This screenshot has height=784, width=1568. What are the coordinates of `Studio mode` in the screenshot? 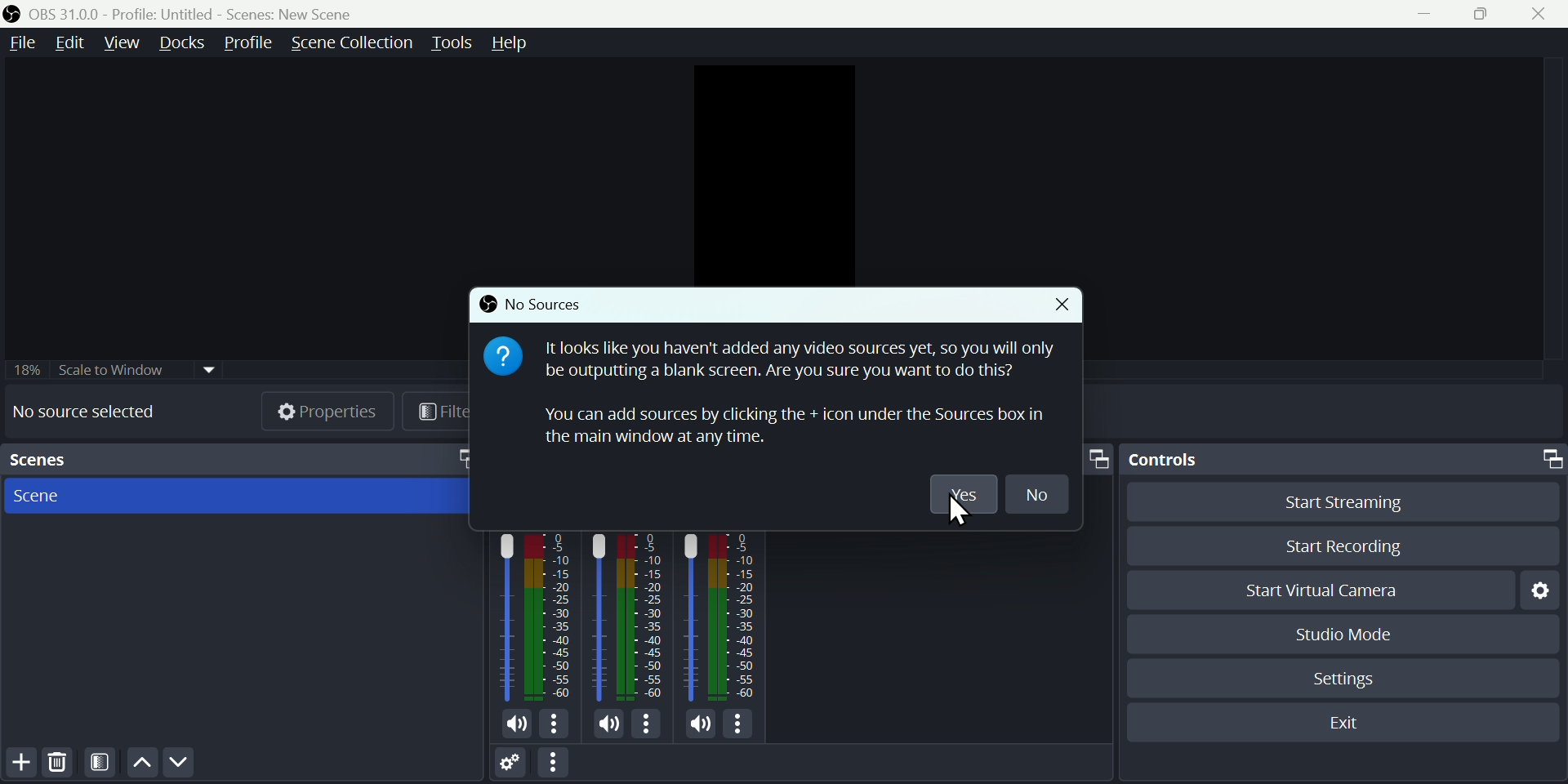 It's located at (1352, 635).